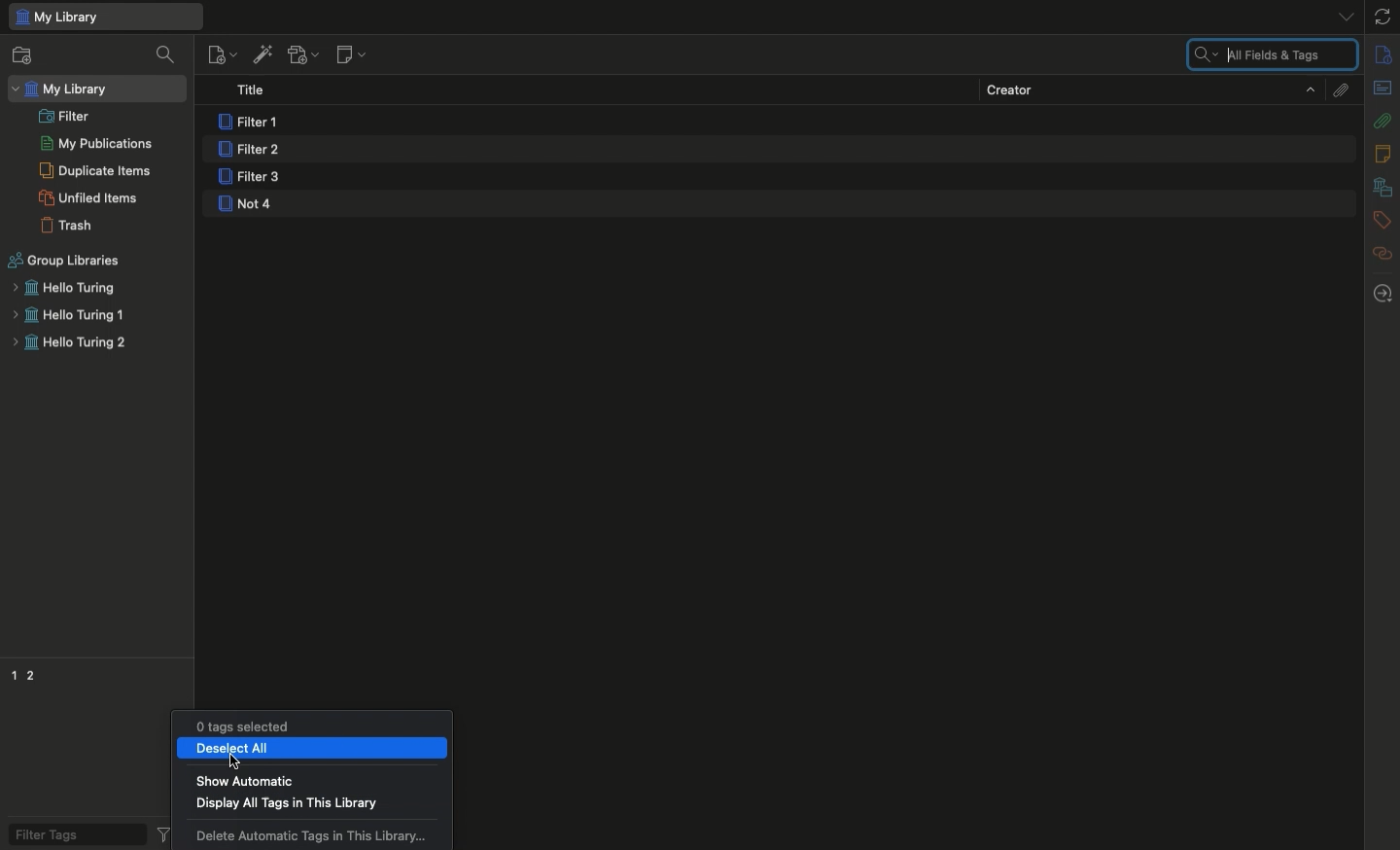 This screenshot has width=1400, height=850. Describe the element at coordinates (65, 115) in the screenshot. I see `Filter` at that location.